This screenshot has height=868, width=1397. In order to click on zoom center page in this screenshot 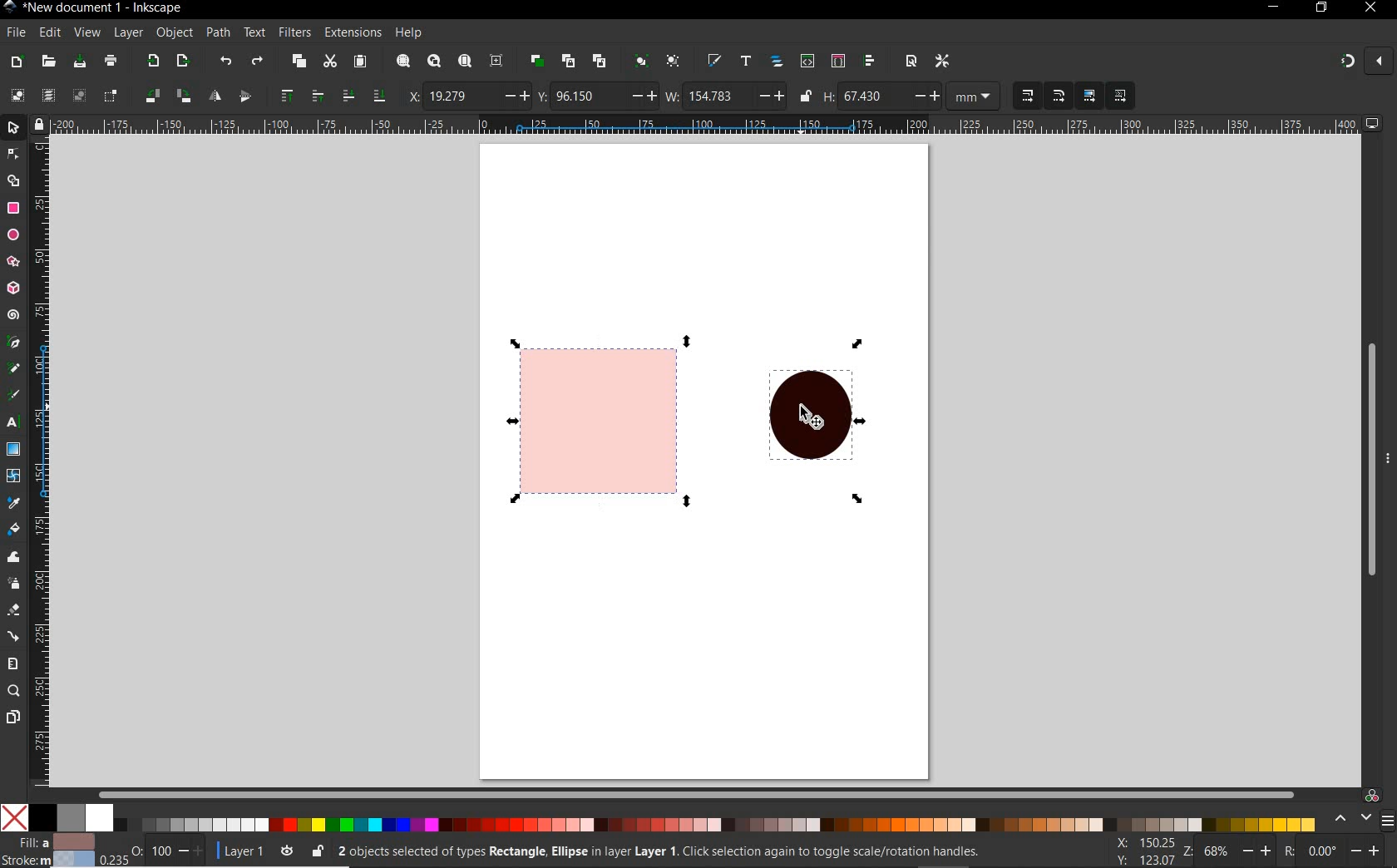, I will do `click(496, 61)`.